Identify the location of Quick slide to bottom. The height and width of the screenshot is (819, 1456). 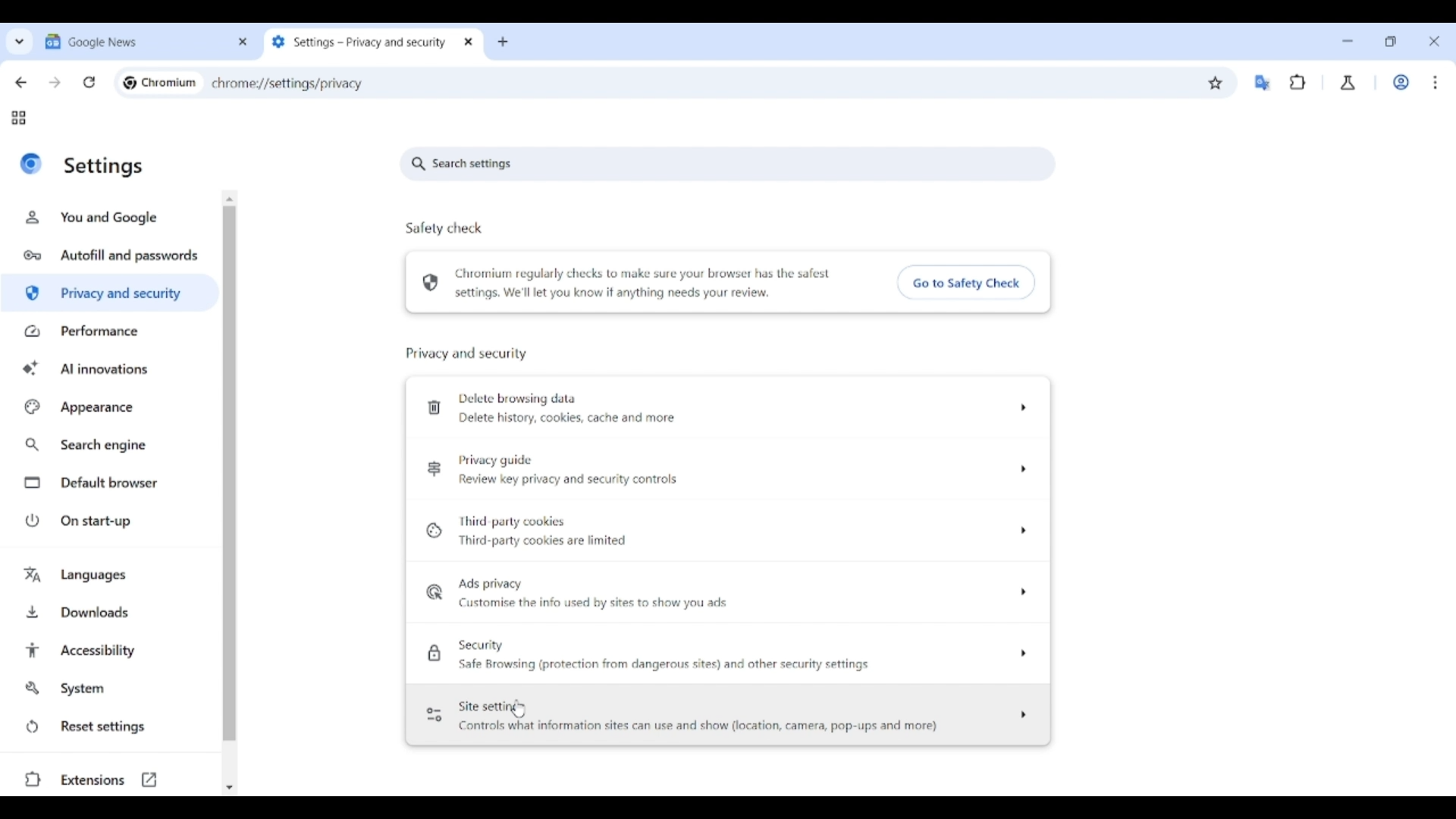
(229, 788).